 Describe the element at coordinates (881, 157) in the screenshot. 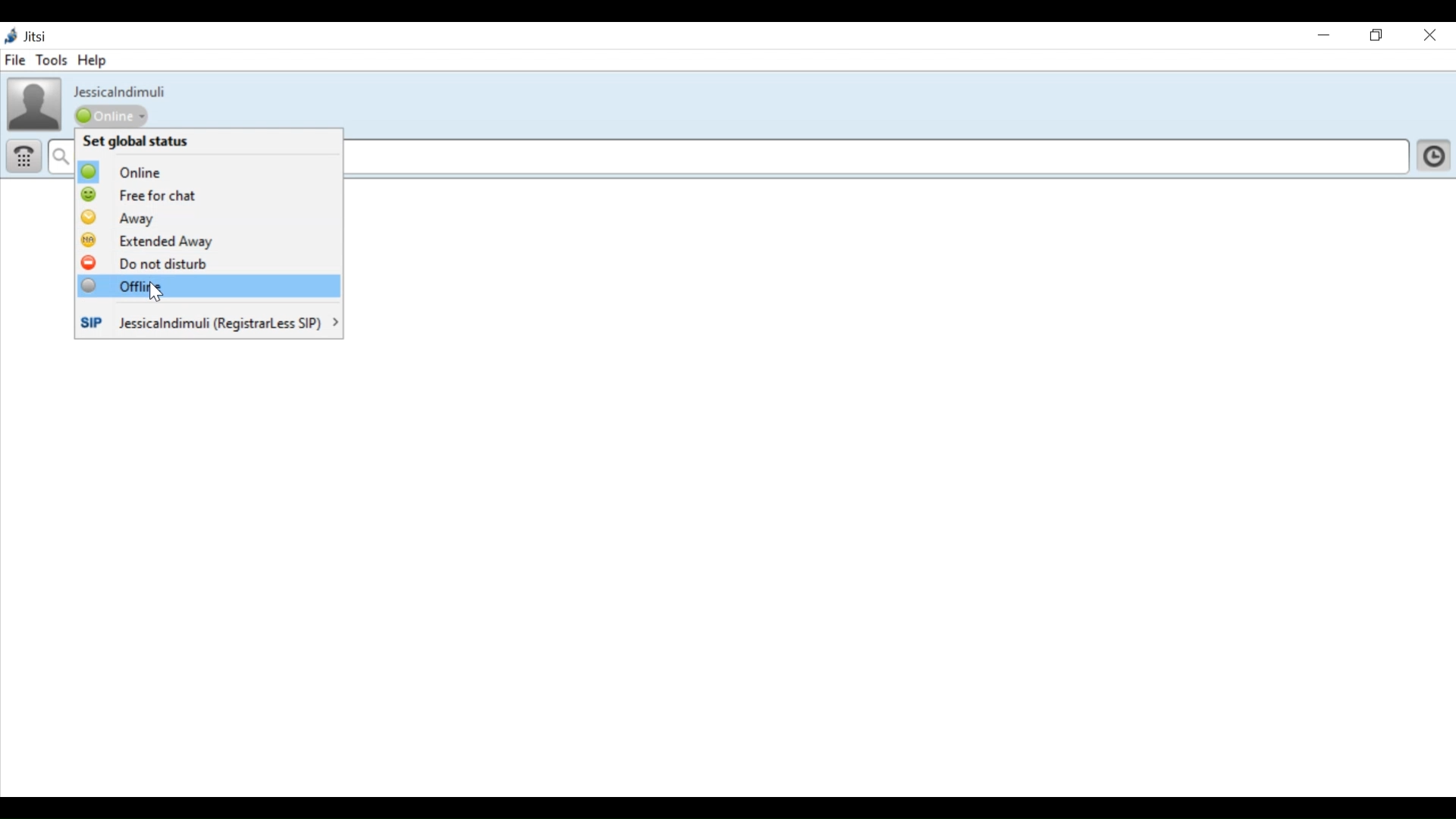

I see `Enter name or number` at that location.